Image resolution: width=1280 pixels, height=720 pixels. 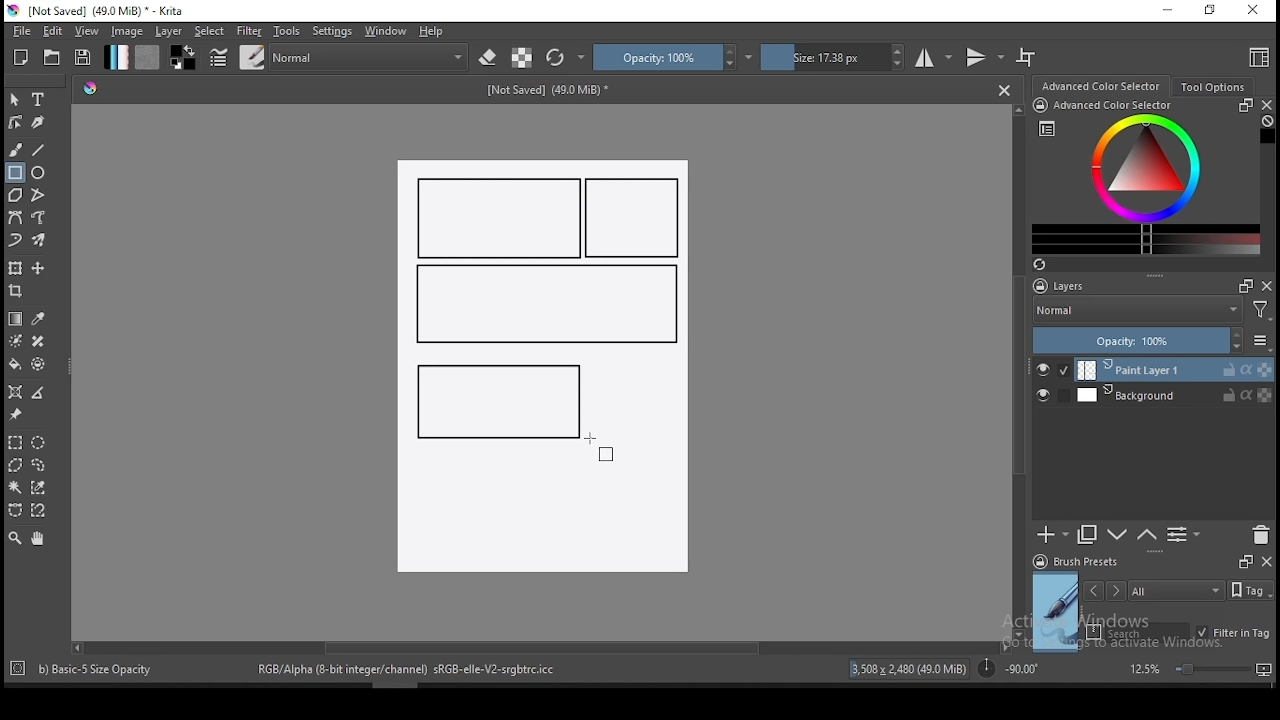 I want to click on duplicate layer, so click(x=1088, y=534).